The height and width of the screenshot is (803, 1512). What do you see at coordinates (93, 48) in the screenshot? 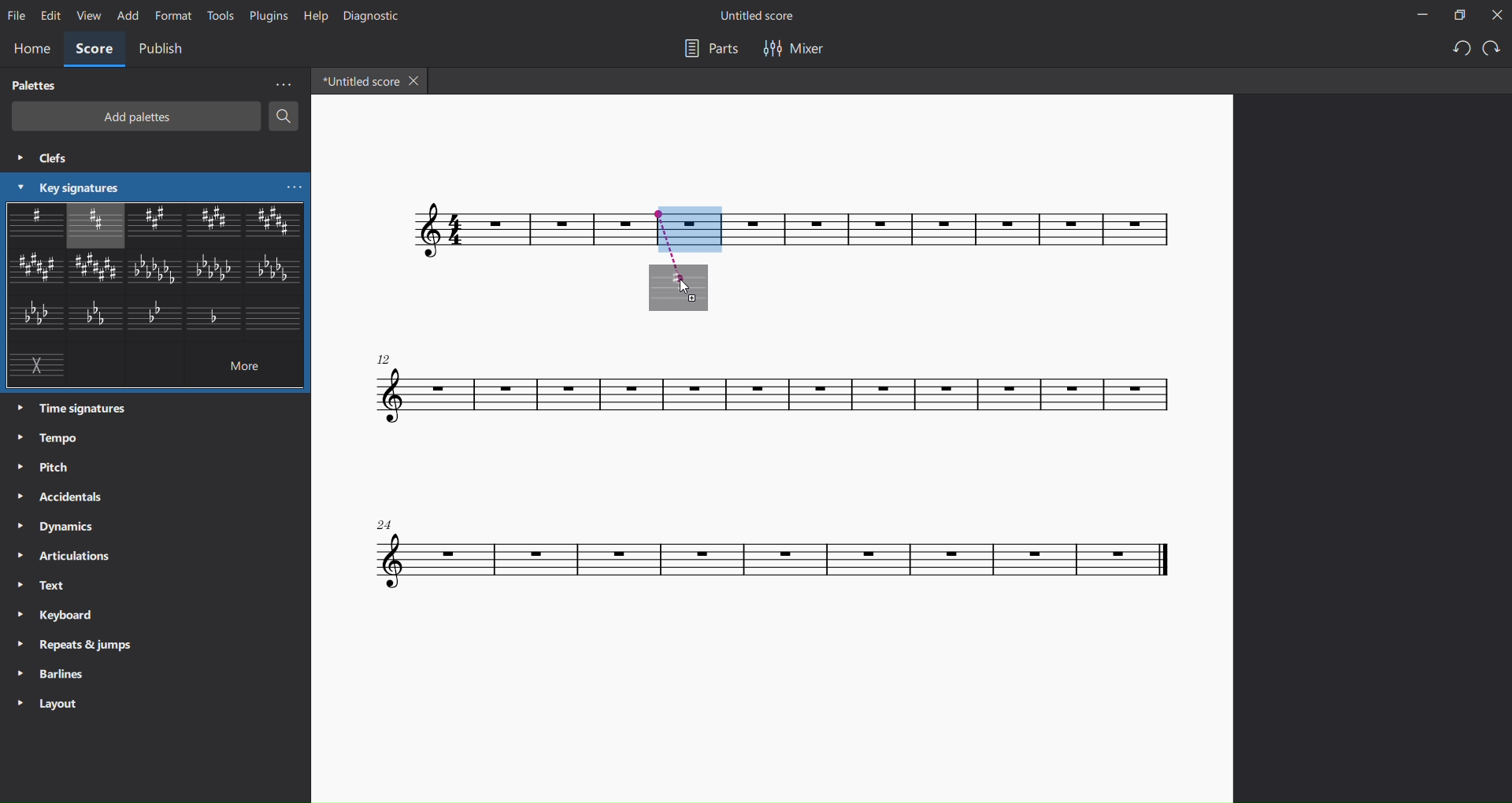
I see `score` at bounding box center [93, 48].